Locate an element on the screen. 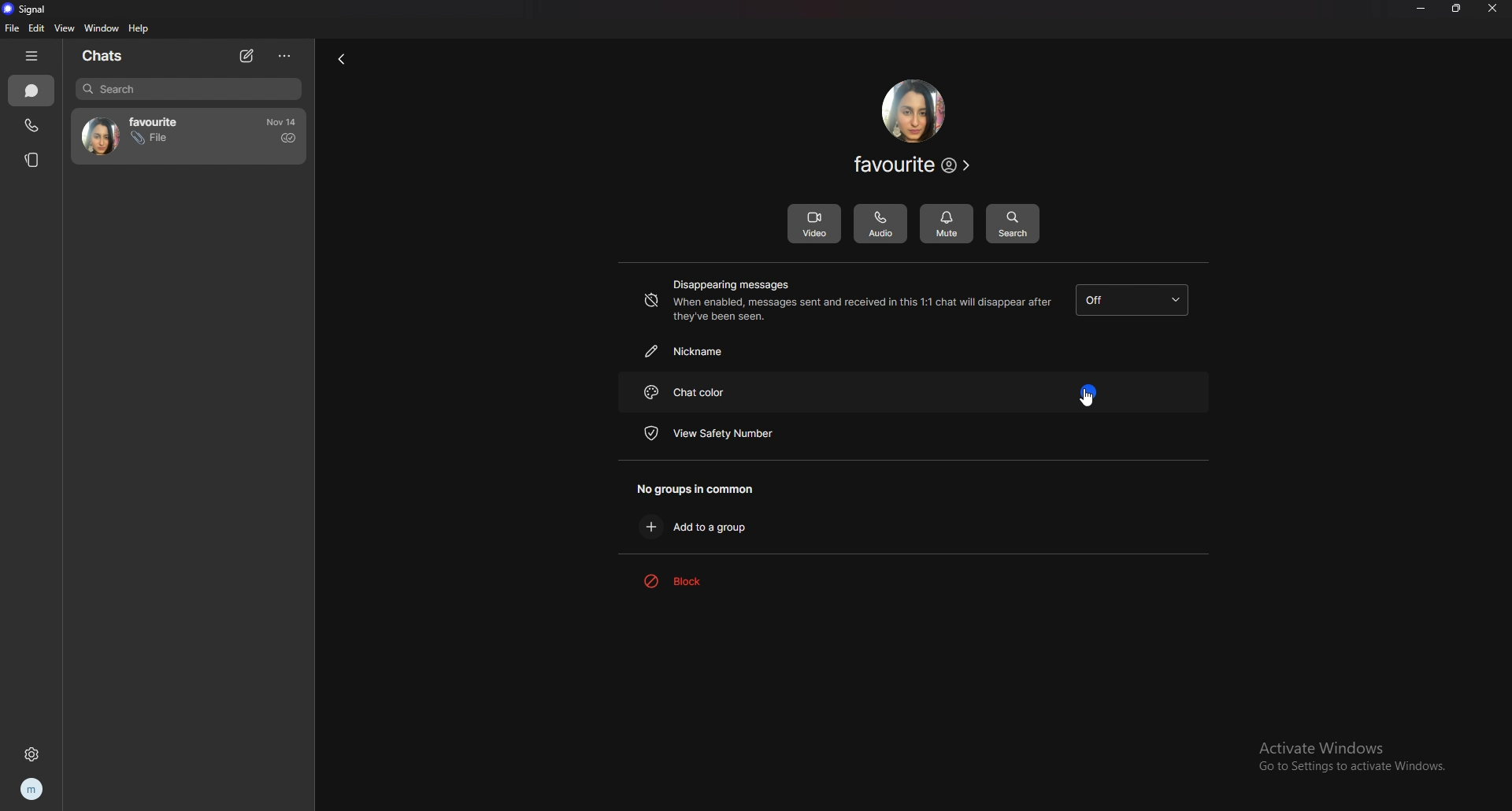 This screenshot has height=811, width=1512. options is located at coordinates (283, 57).